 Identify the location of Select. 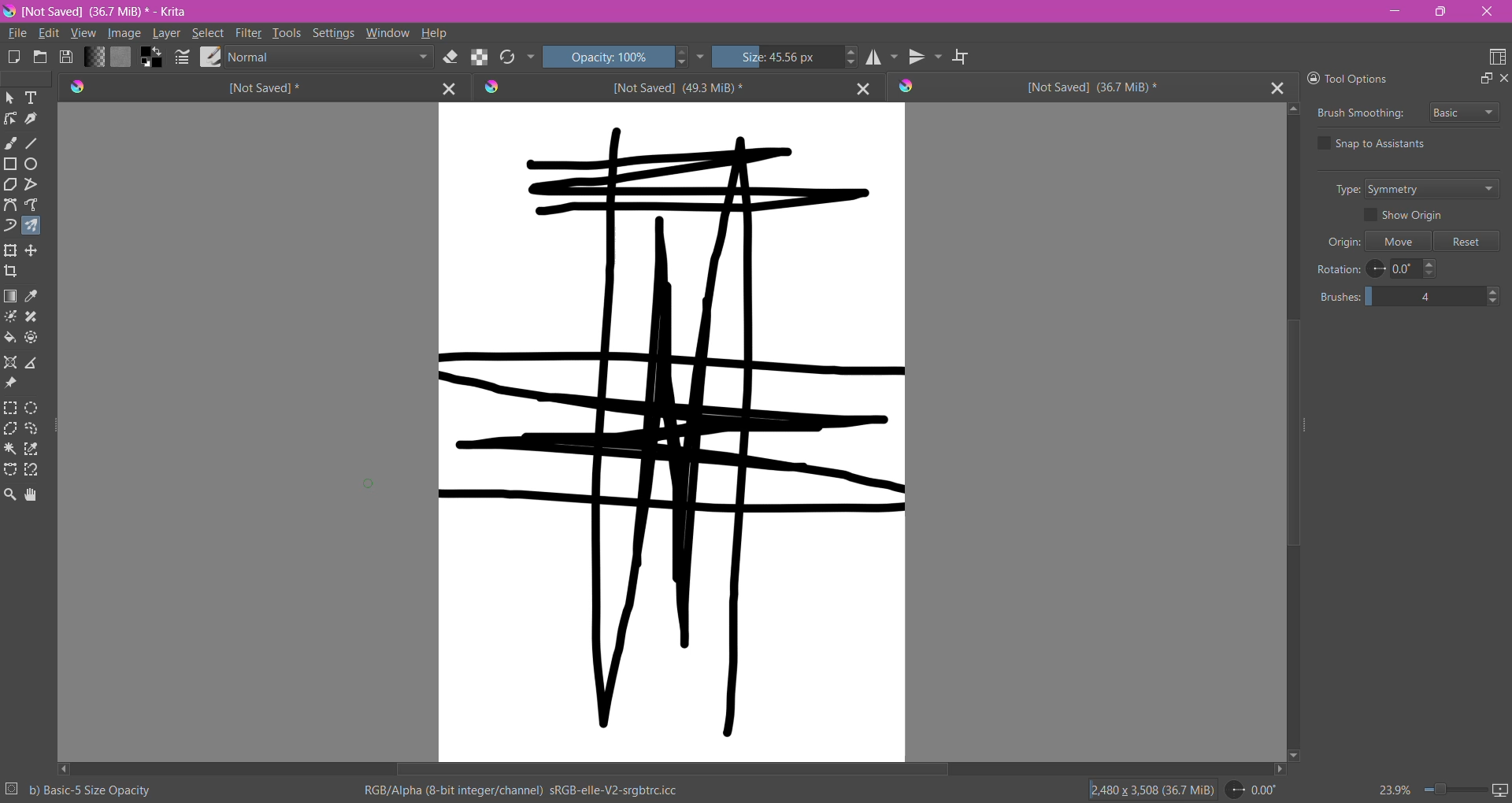
(207, 33).